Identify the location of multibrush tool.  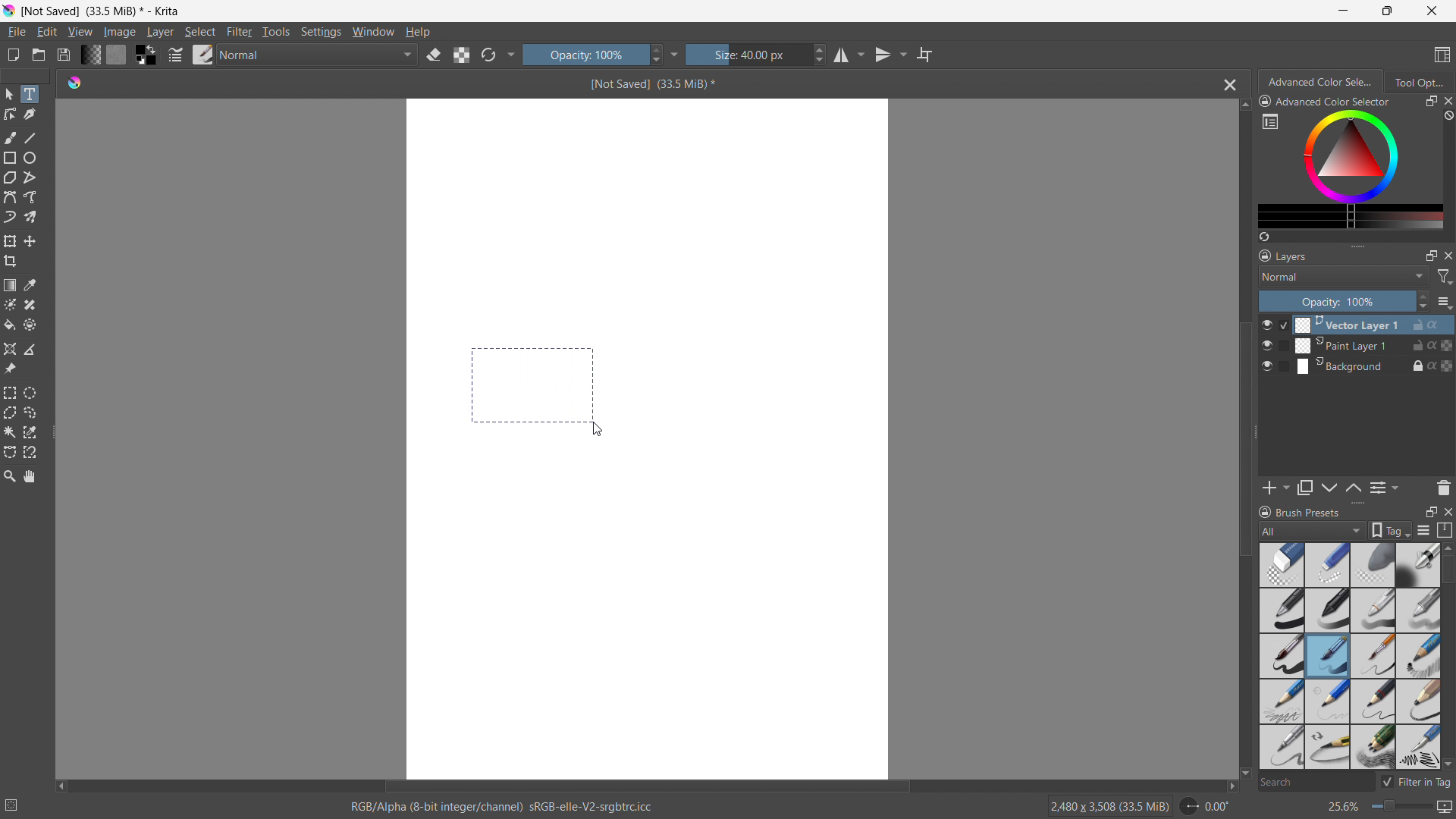
(30, 217).